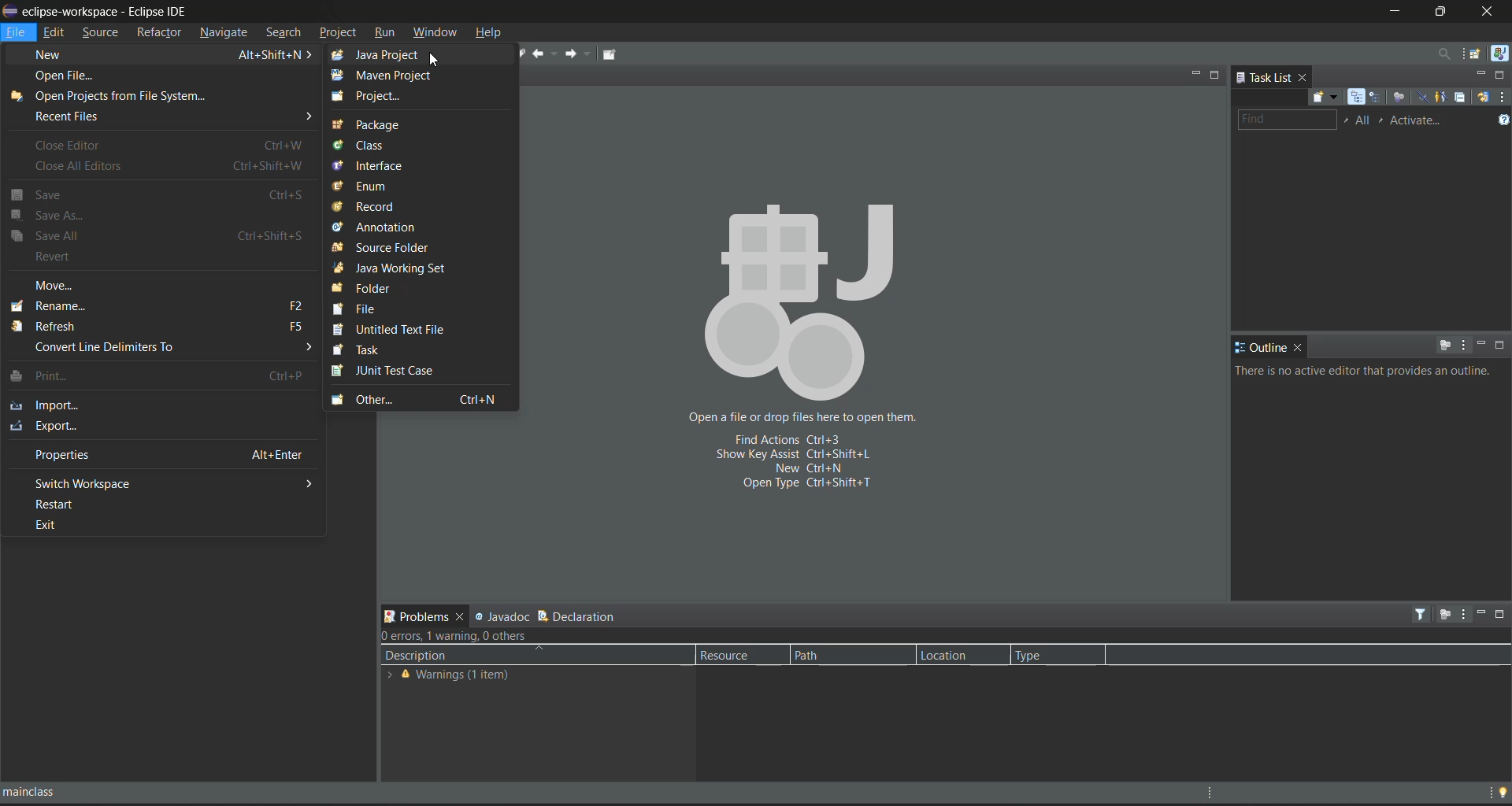 This screenshot has width=1512, height=806. What do you see at coordinates (156, 216) in the screenshot?
I see `save as` at bounding box center [156, 216].